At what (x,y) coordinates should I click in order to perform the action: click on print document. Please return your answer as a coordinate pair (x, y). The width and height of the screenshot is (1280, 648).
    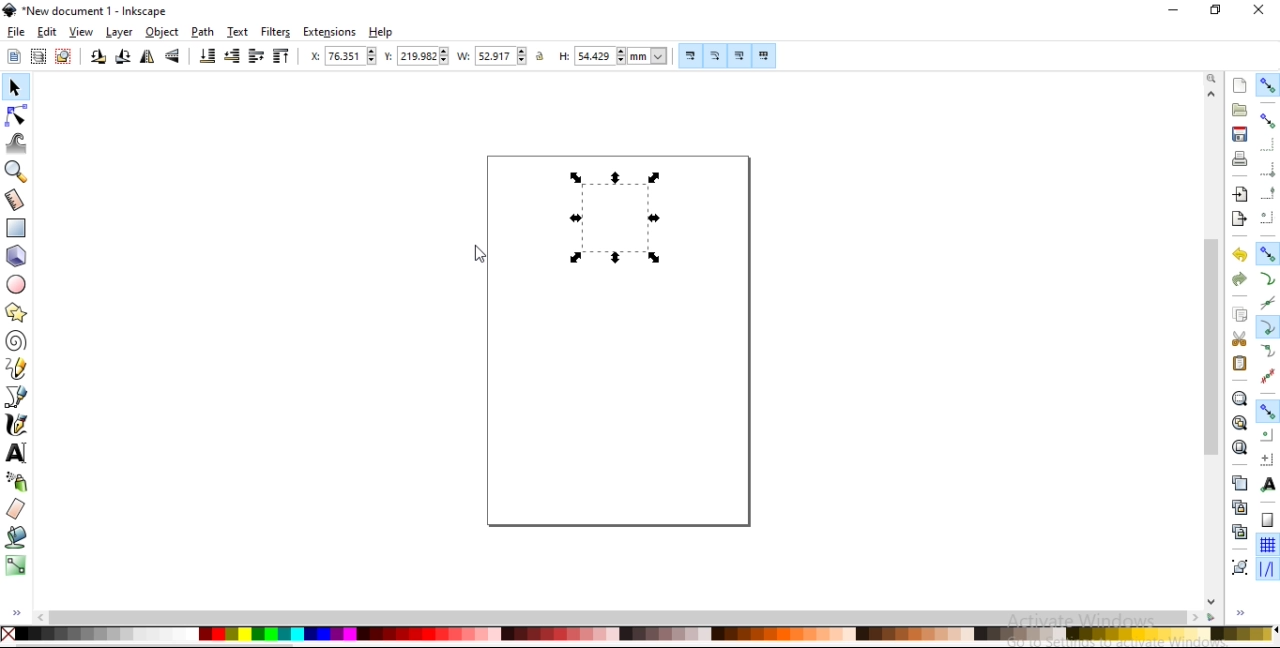
    Looking at the image, I should click on (1240, 159).